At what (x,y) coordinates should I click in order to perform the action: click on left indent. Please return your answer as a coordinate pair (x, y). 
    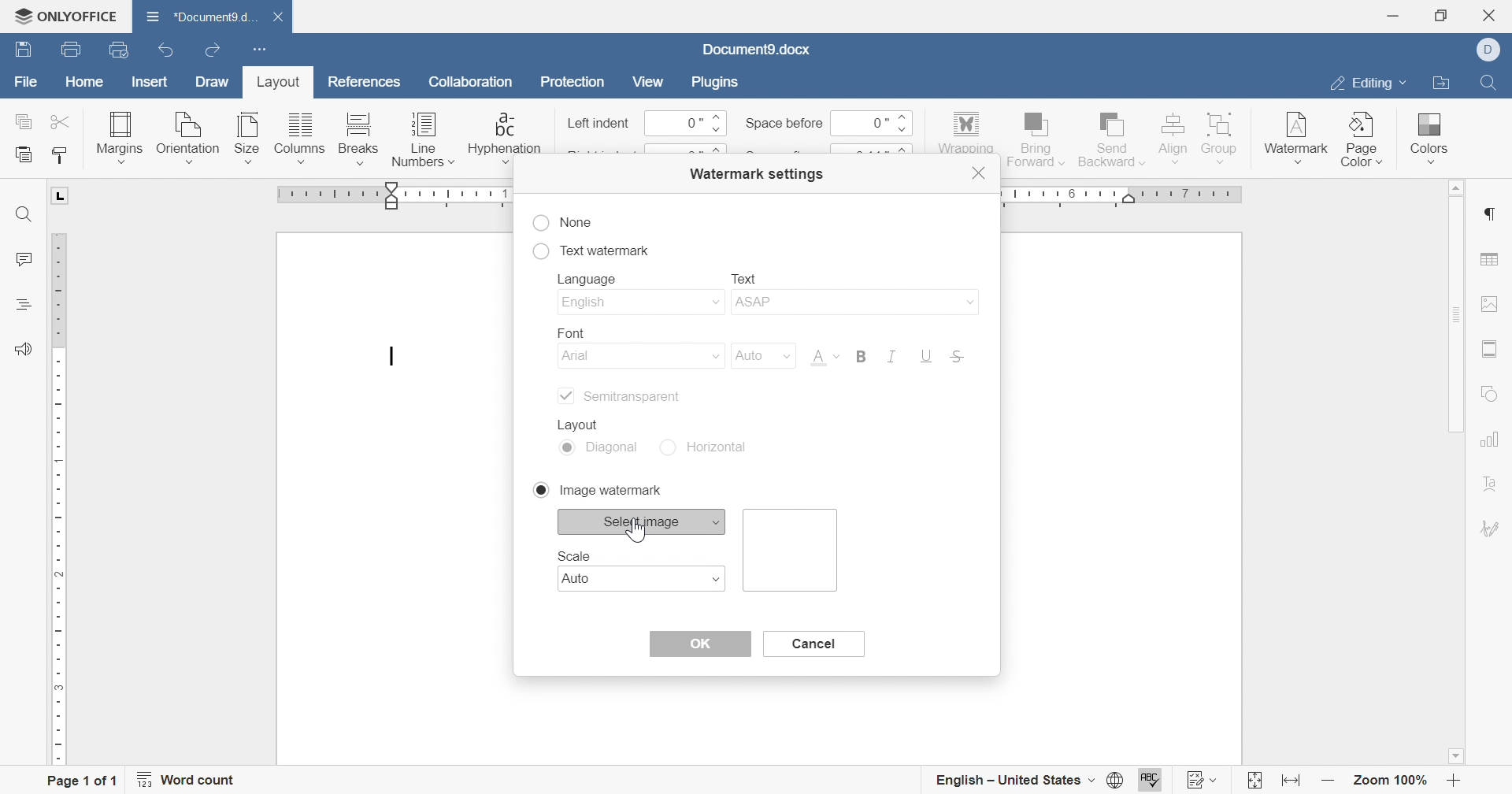
    Looking at the image, I should click on (599, 124).